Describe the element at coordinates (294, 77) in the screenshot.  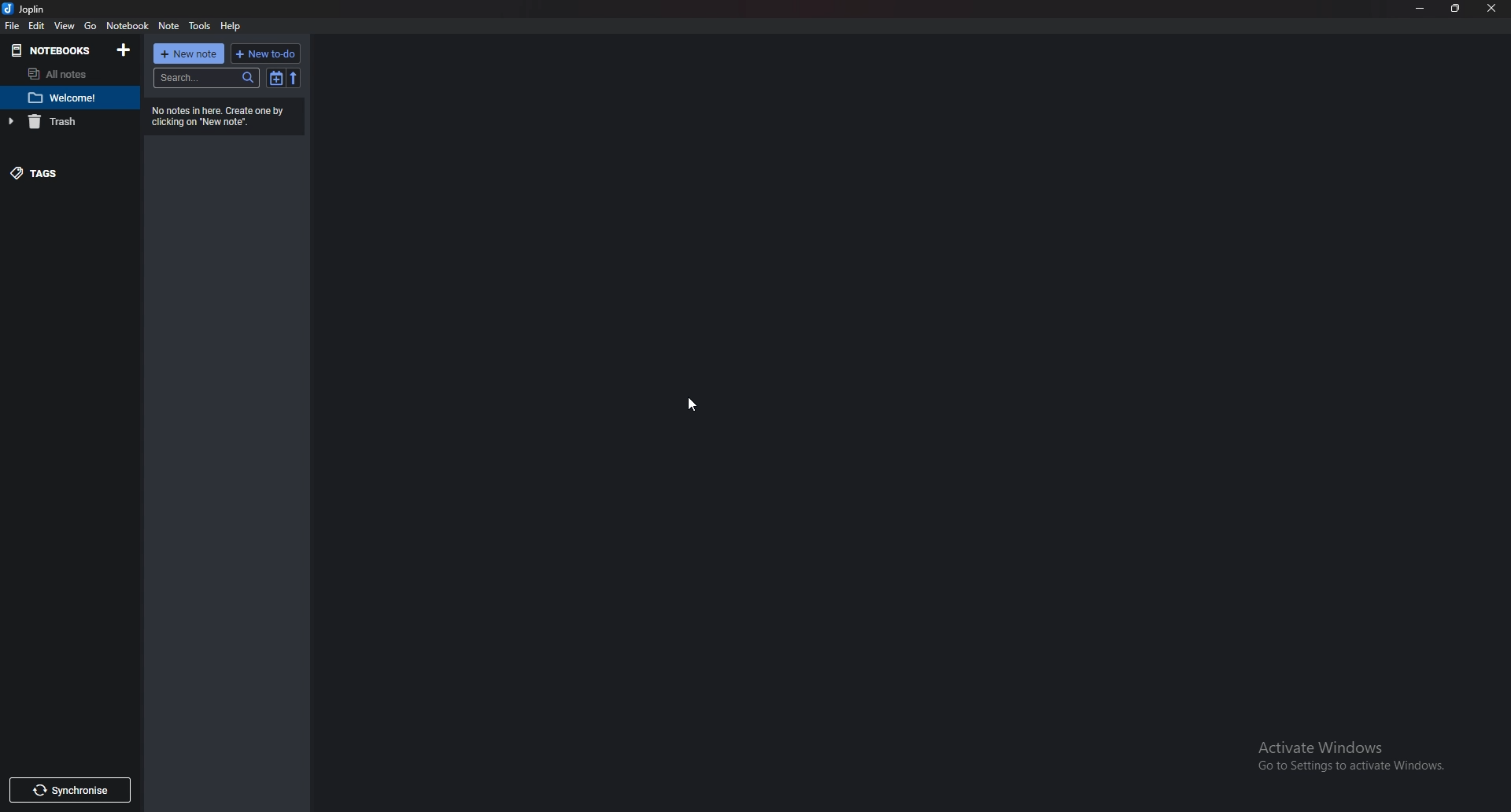
I see `reverse sort order` at that location.